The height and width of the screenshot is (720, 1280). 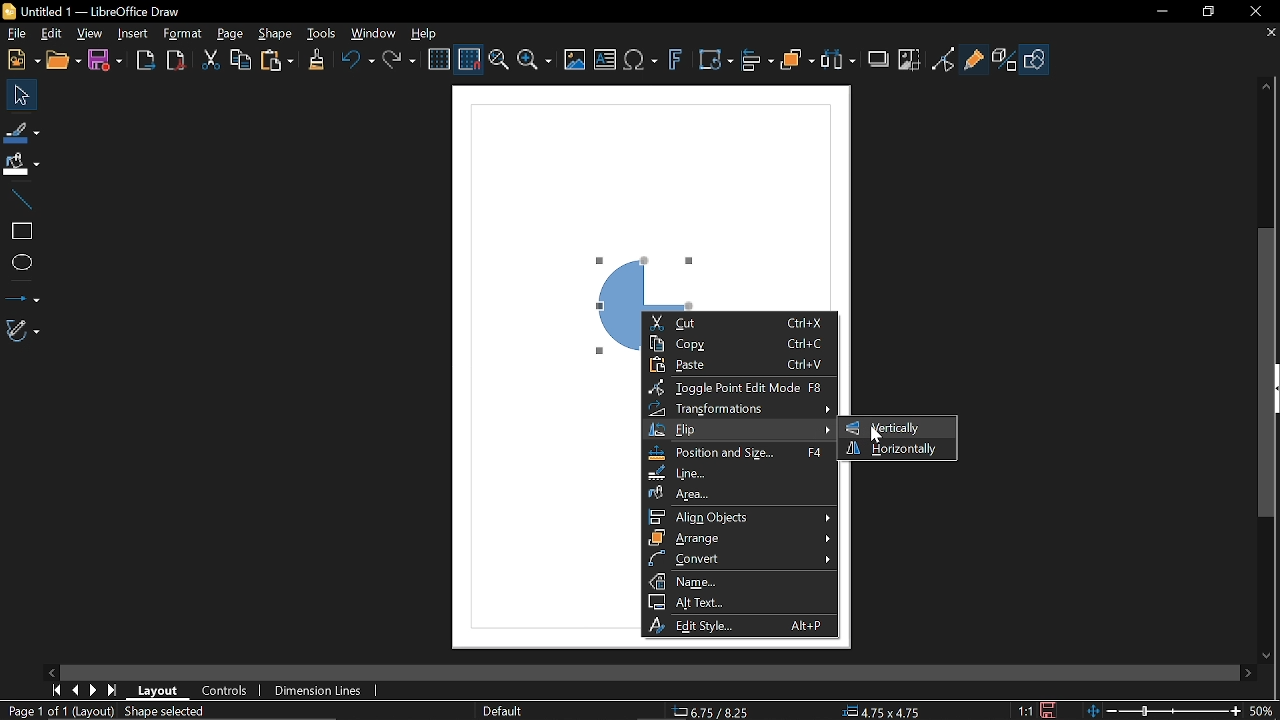 I want to click on Fill color, so click(x=21, y=164).